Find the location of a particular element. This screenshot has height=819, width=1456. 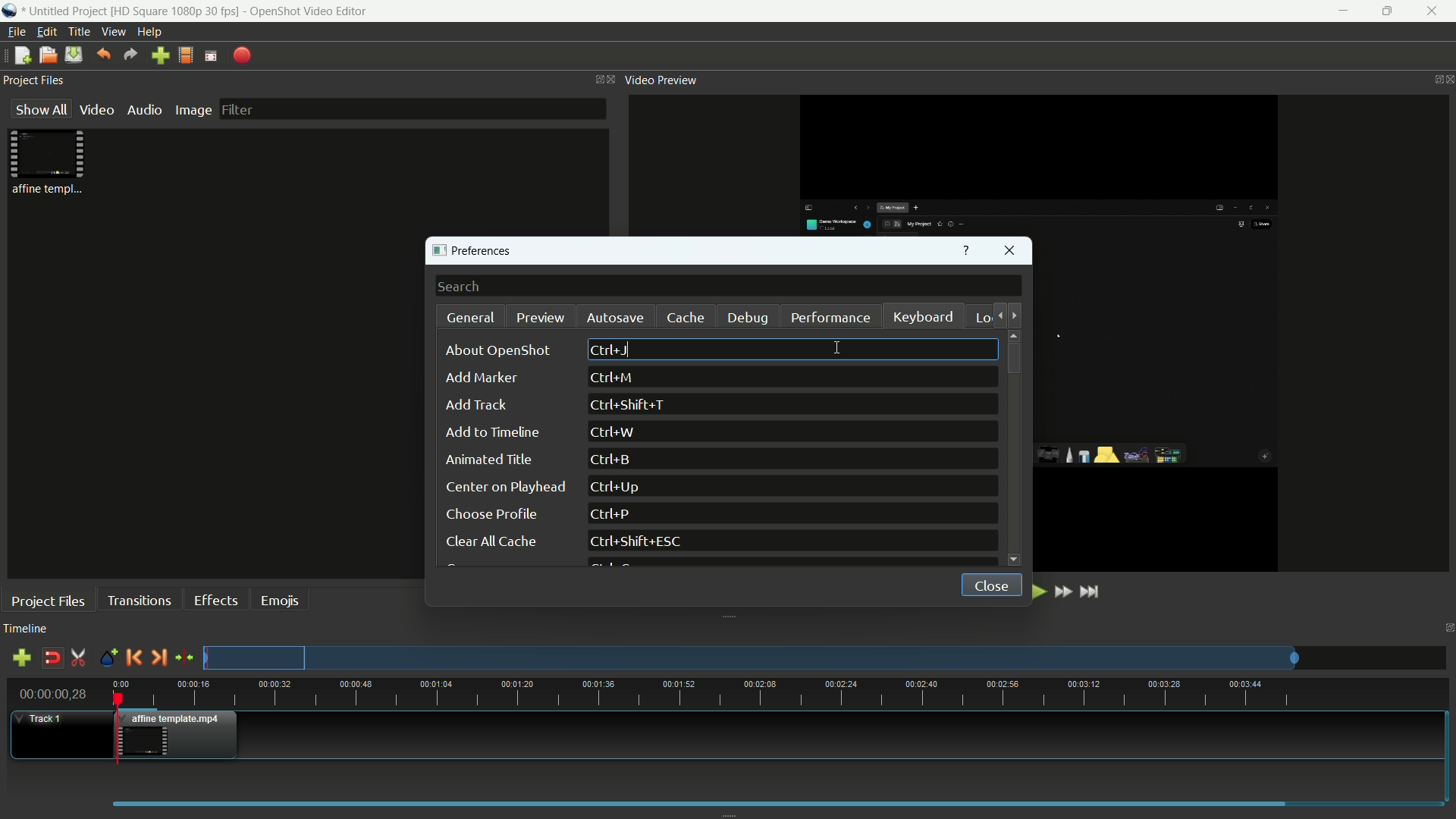

video preview is located at coordinates (662, 80).